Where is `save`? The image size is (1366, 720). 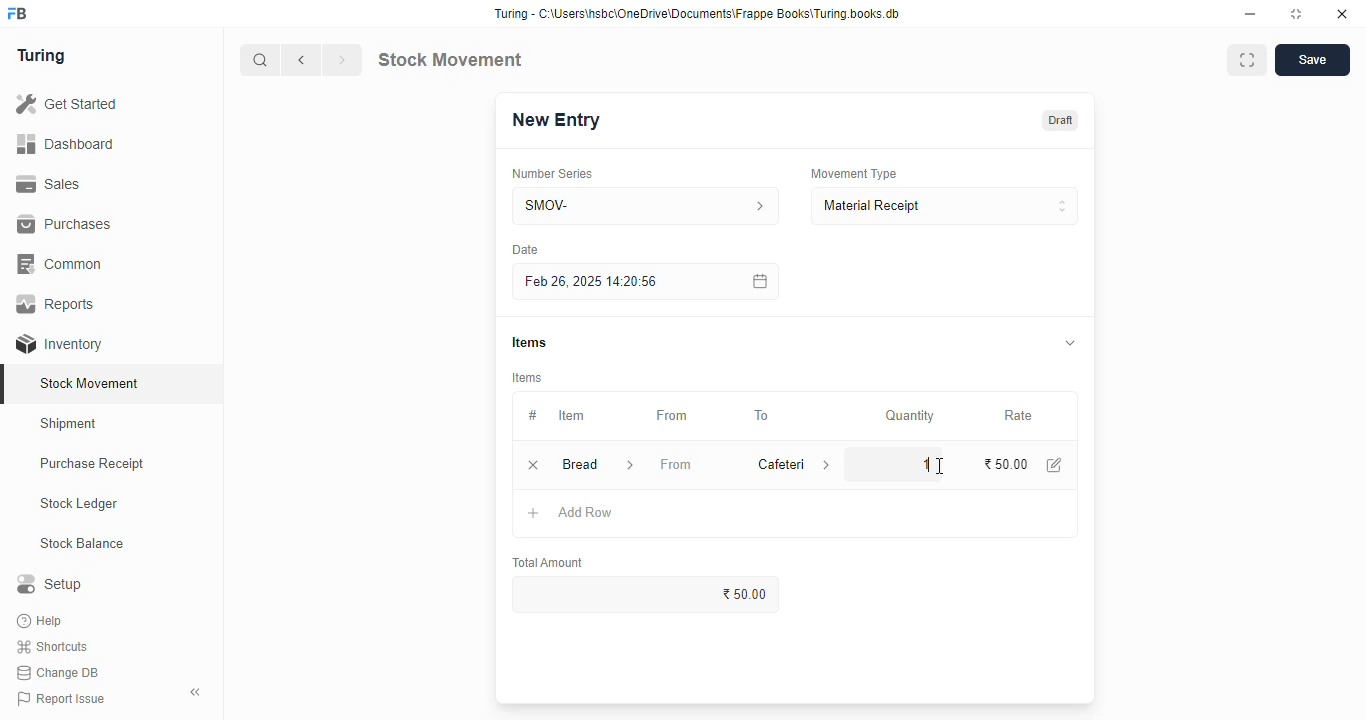 save is located at coordinates (1313, 60).